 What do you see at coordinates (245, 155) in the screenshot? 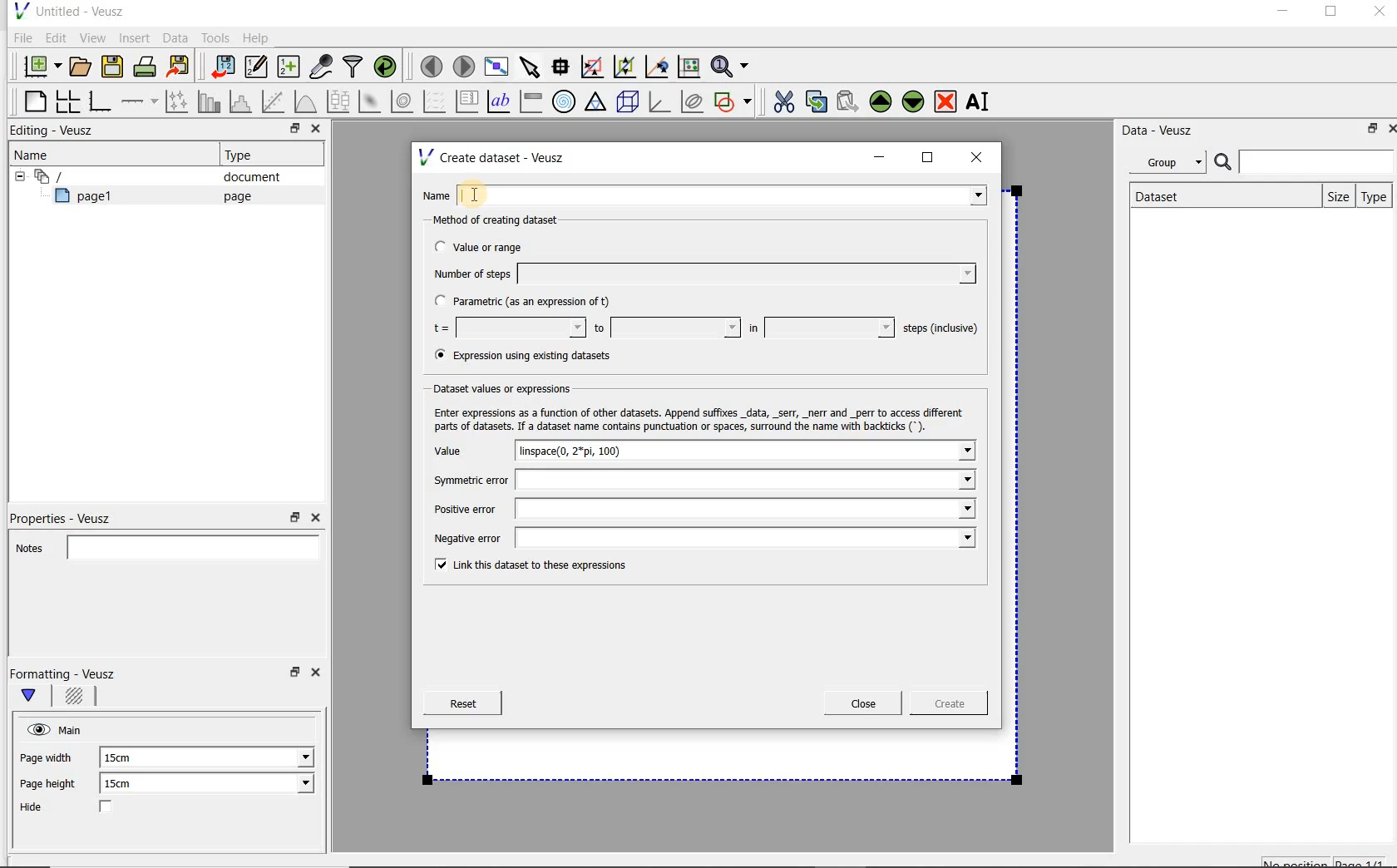
I see `Type` at bounding box center [245, 155].